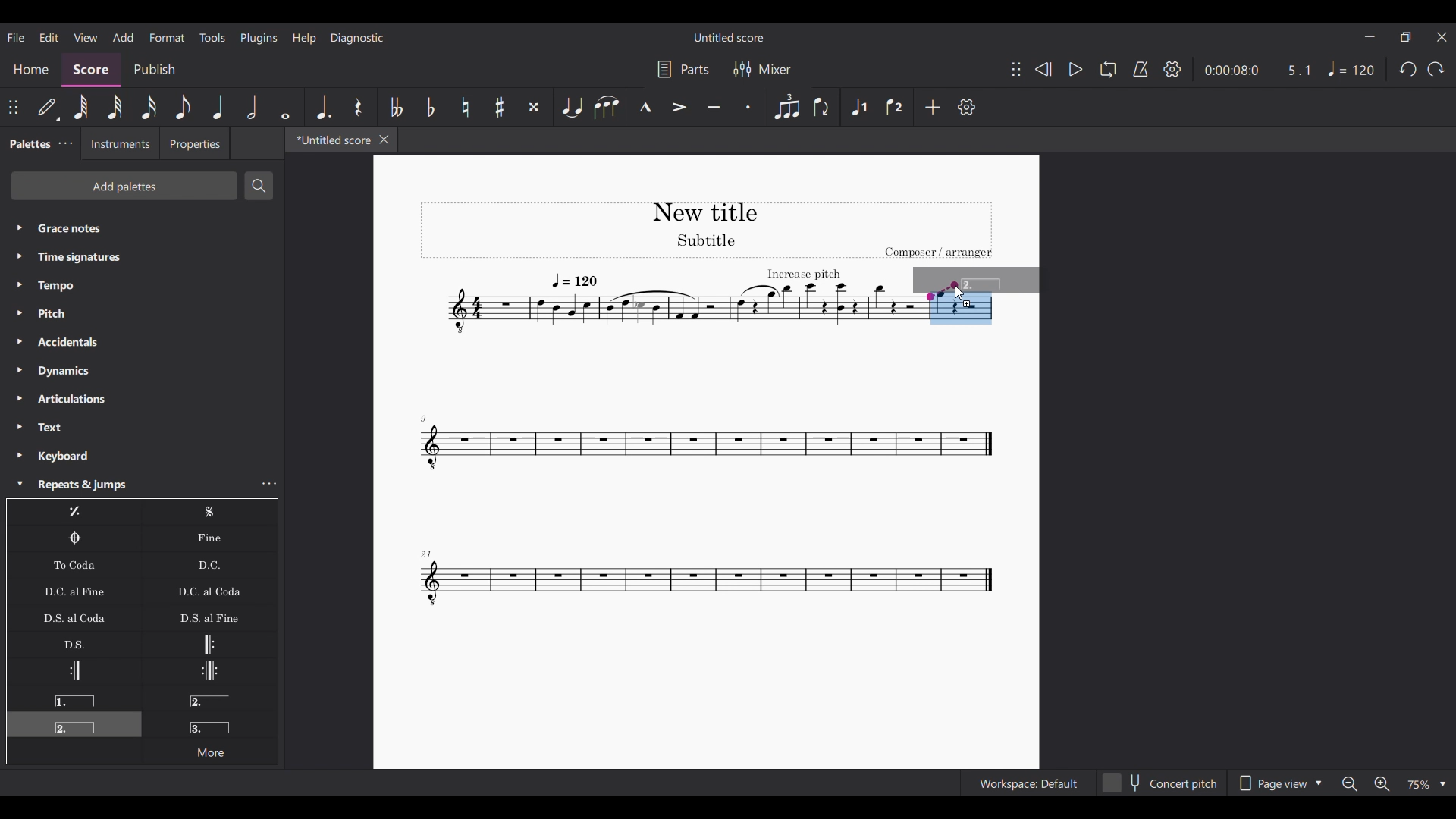  What do you see at coordinates (124, 37) in the screenshot?
I see `Add menu` at bounding box center [124, 37].